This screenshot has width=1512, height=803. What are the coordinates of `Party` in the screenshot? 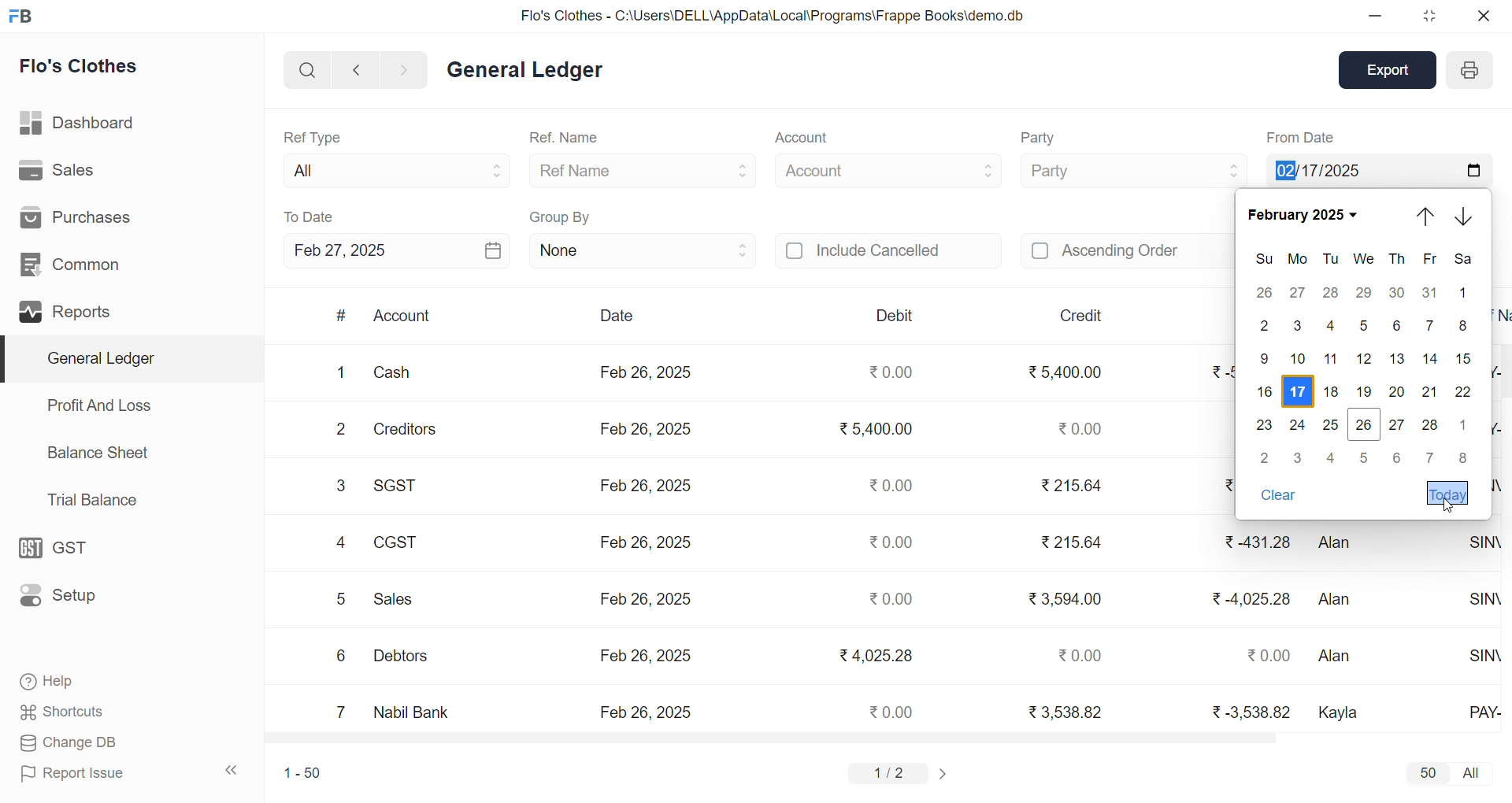 It's located at (1132, 169).